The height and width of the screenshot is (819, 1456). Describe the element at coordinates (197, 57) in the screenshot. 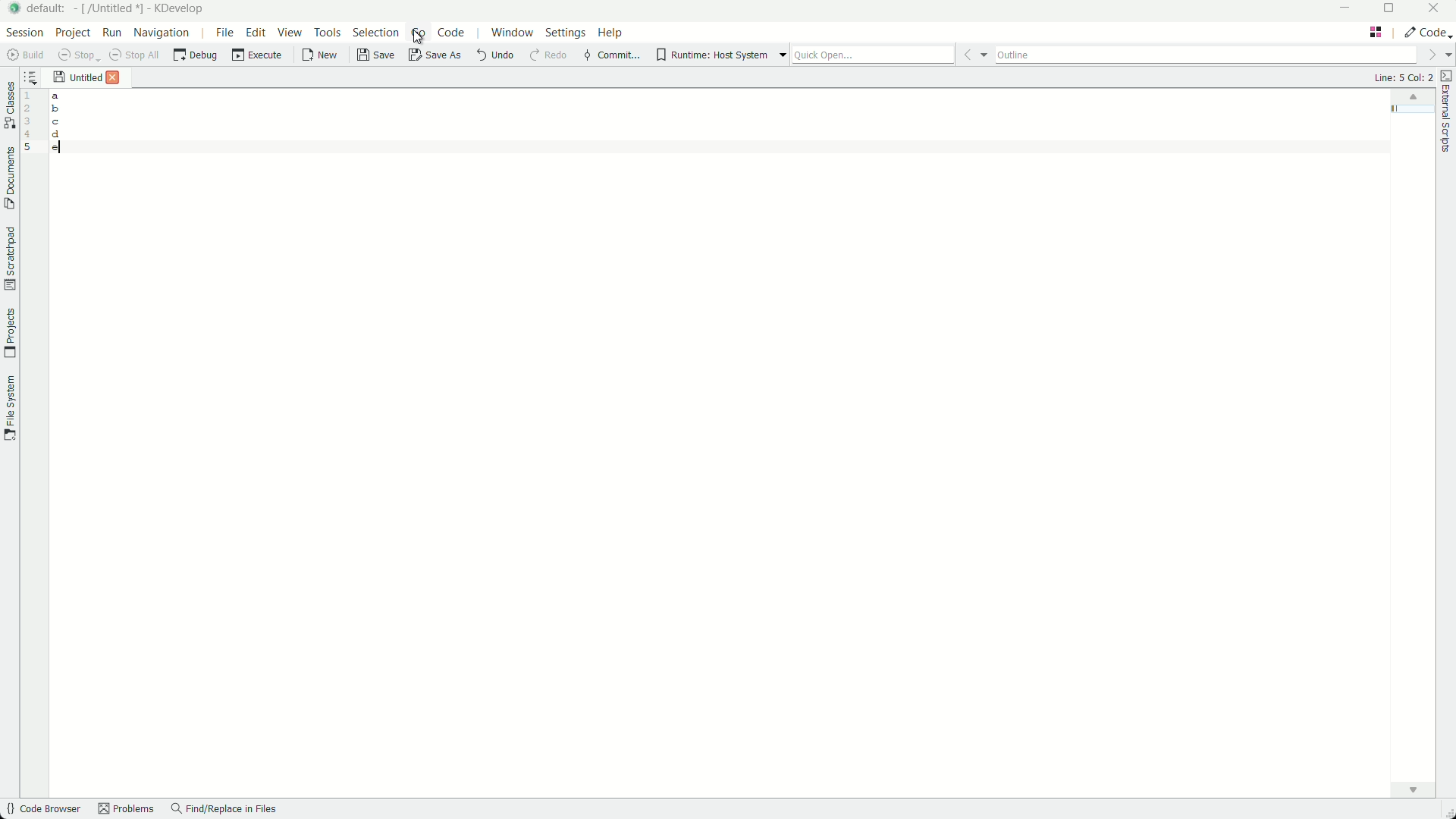

I see `debug` at that location.